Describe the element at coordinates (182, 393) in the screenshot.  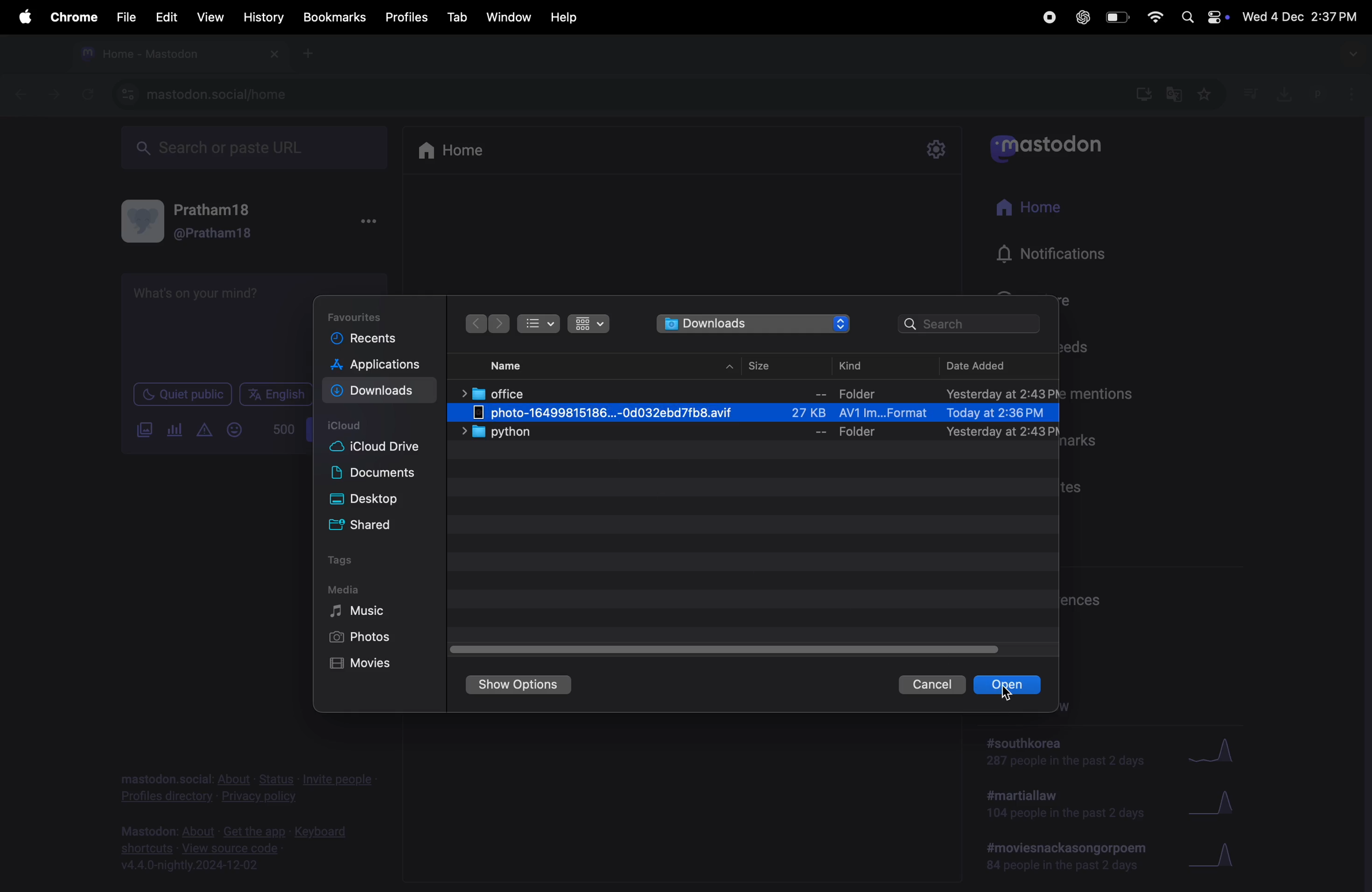
I see `Quiet public` at that location.